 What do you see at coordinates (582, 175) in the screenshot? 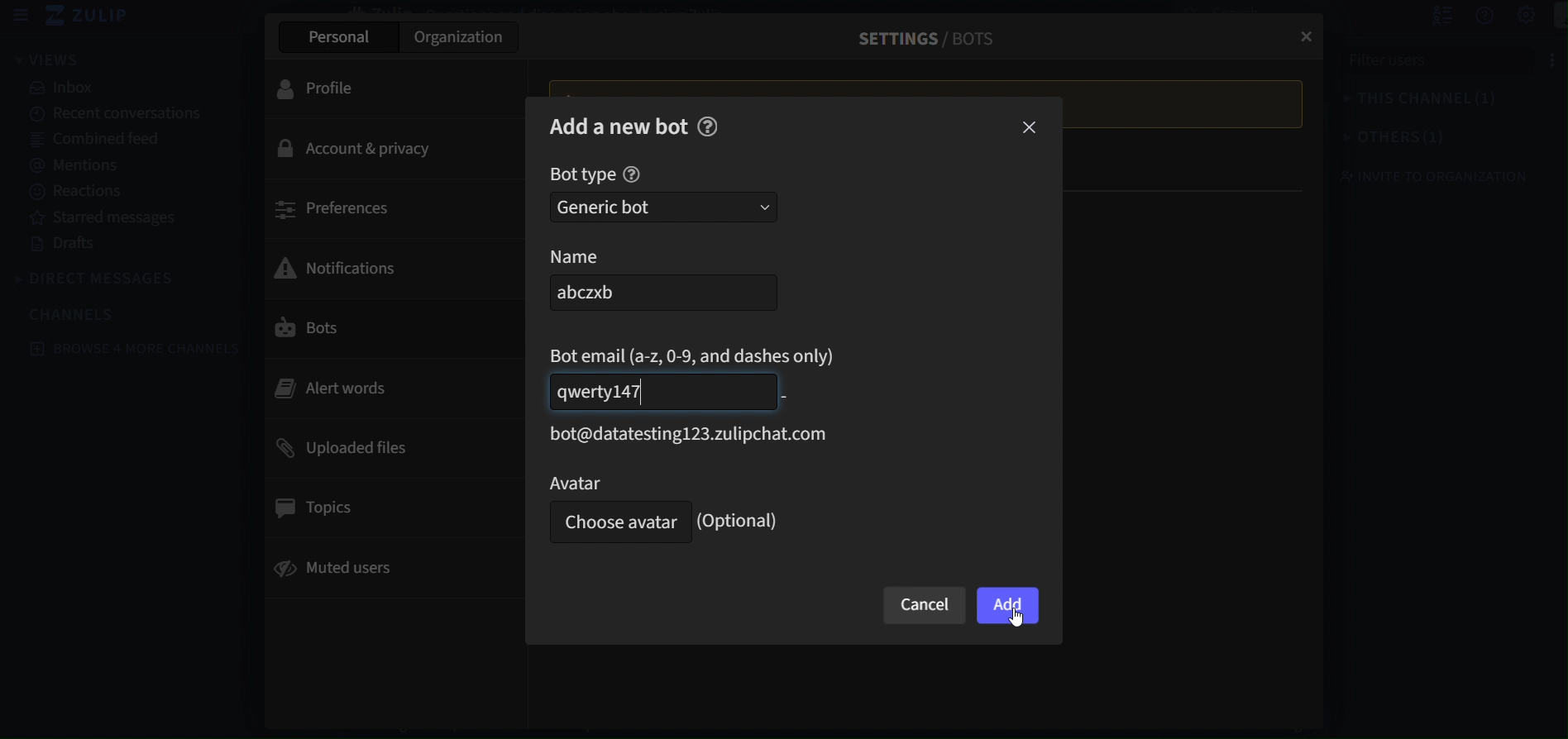
I see `bot type` at bounding box center [582, 175].